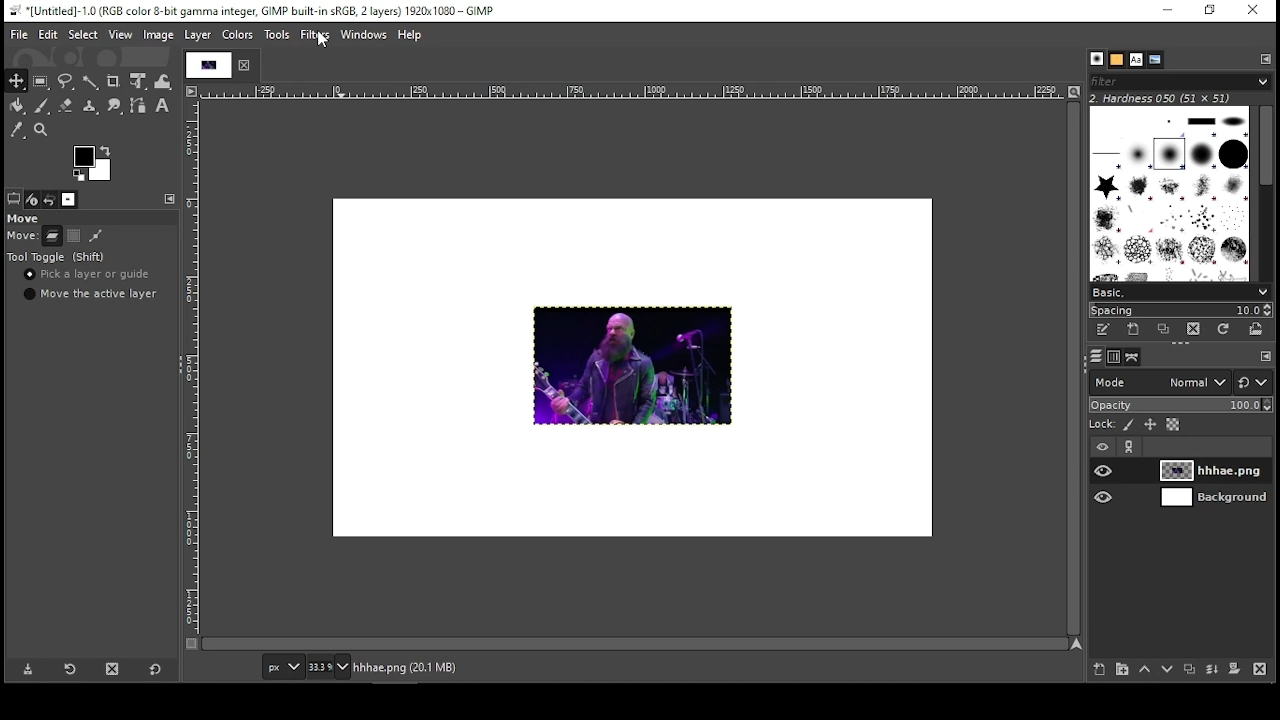  Describe the element at coordinates (1096, 356) in the screenshot. I see `layers` at that location.